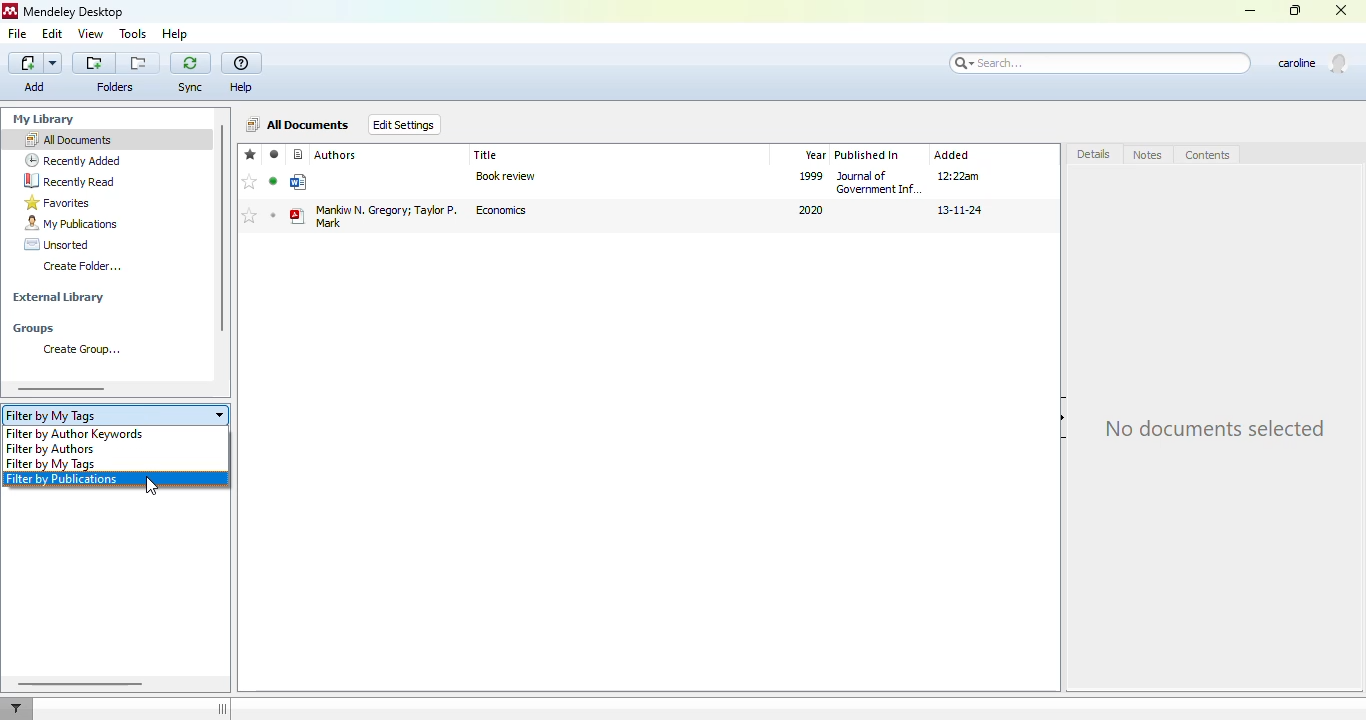 This screenshot has height=720, width=1366. Describe the element at coordinates (404, 125) in the screenshot. I see `edit settings` at that location.